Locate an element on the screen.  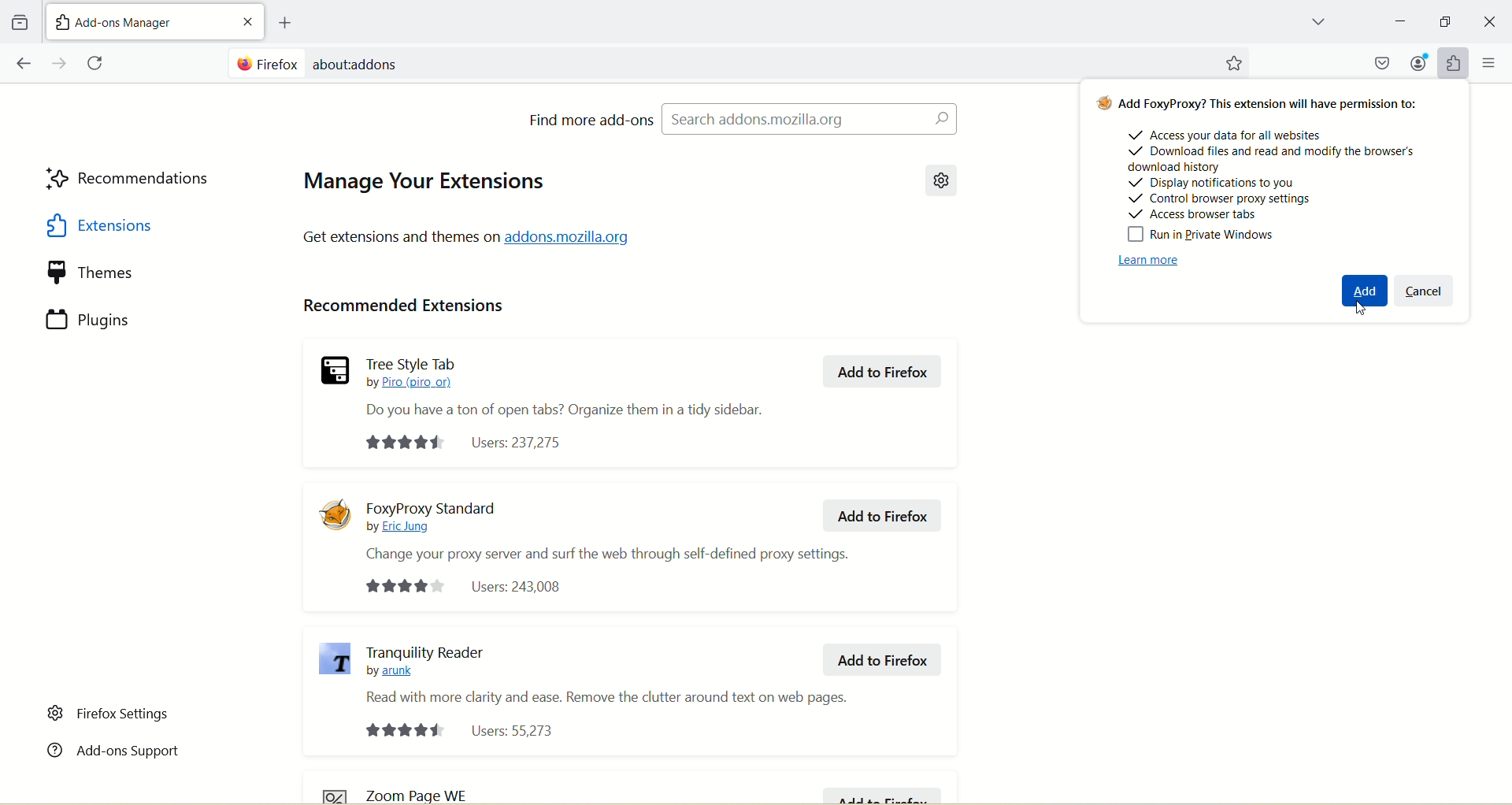
Search bar is located at coordinates (713, 61).